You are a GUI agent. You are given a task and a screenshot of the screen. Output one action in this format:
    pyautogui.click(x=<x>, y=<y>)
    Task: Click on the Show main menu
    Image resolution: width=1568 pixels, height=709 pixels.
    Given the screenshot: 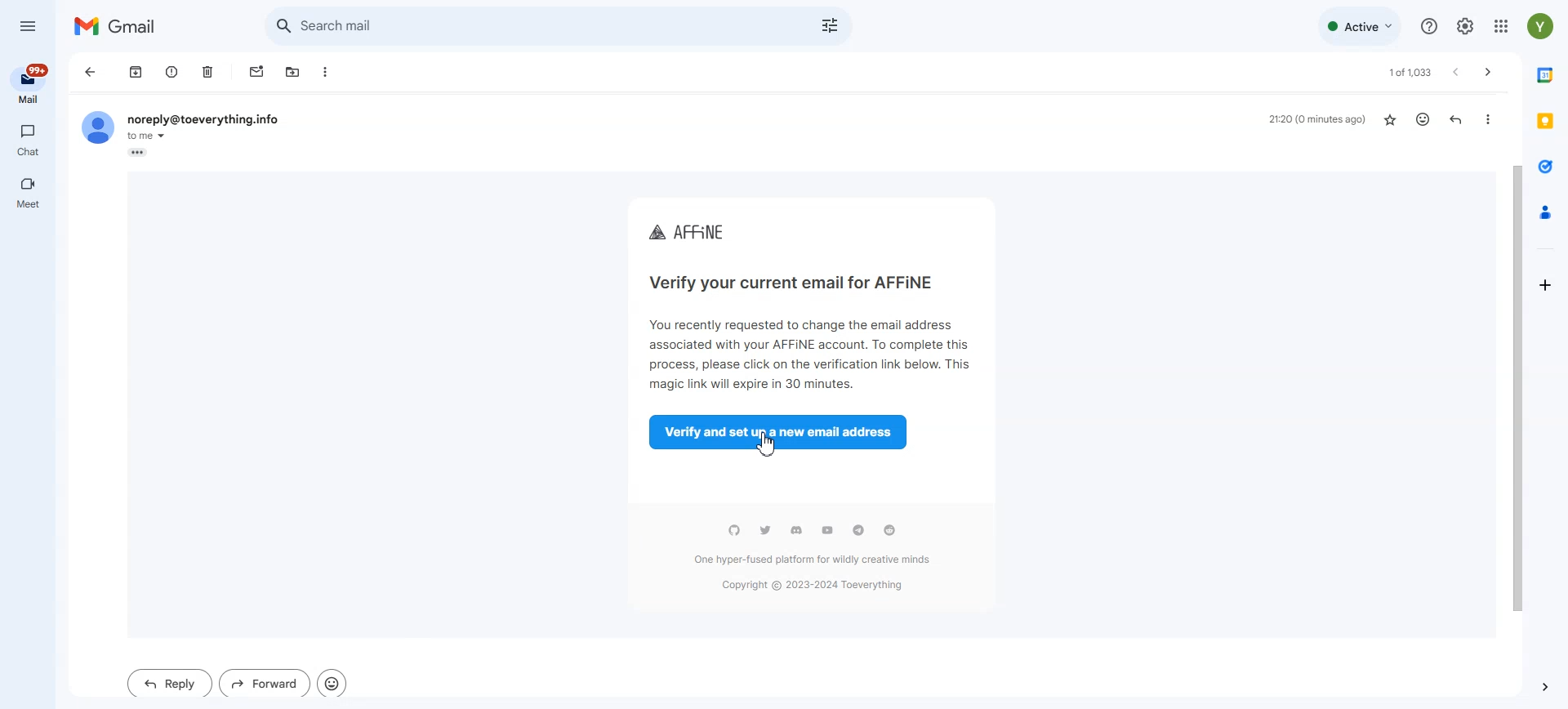 What is the action you would take?
    pyautogui.click(x=28, y=25)
    